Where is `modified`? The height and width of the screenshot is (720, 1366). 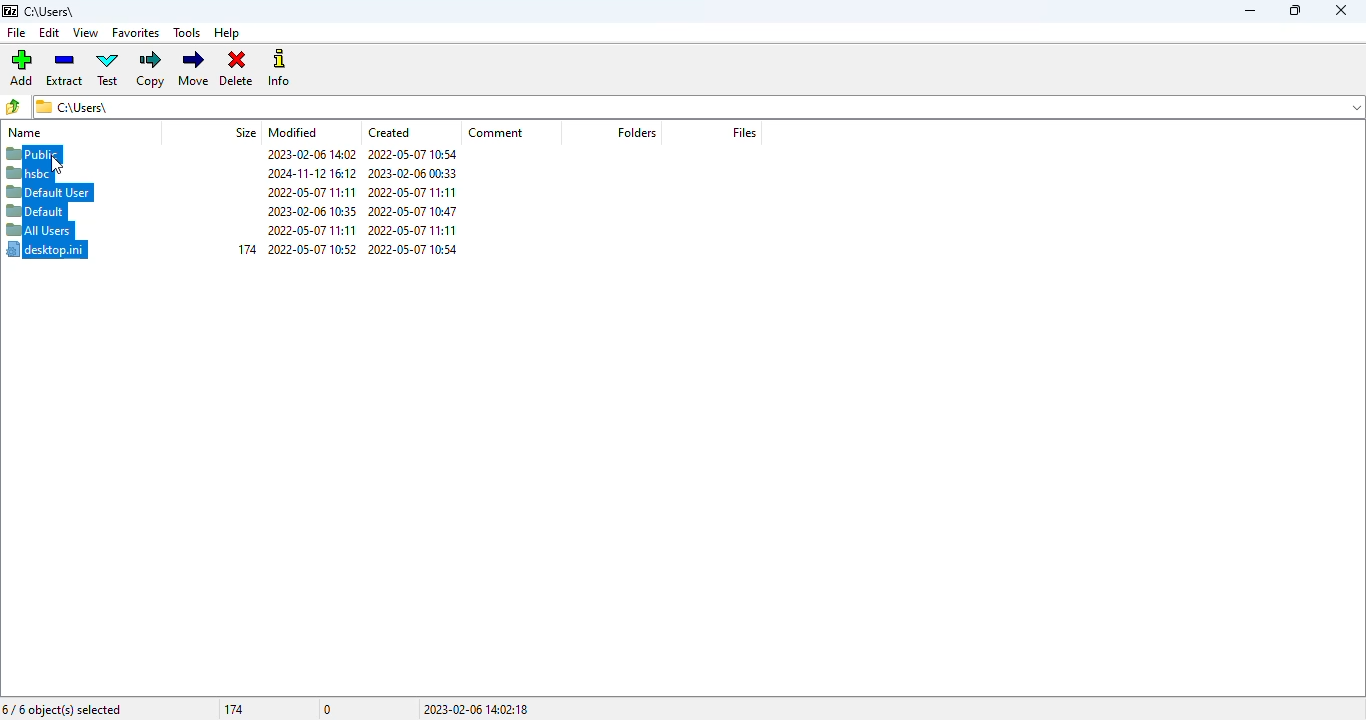 modified is located at coordinates (294, 132).